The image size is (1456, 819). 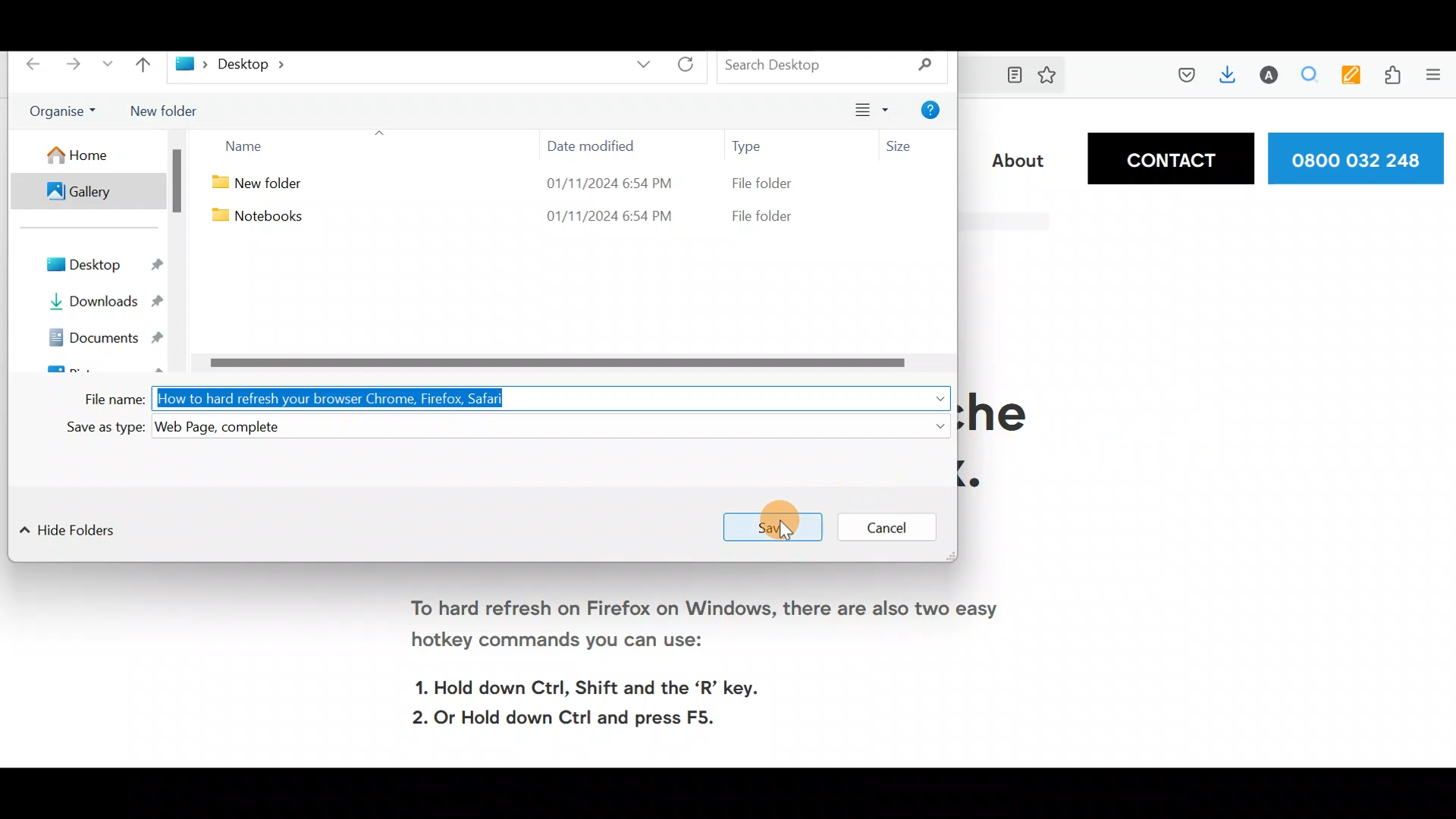 What do you see at coordinates (1232, 76) in the screenshot?
I see `Downloads` at bounding box center [1232, 76].